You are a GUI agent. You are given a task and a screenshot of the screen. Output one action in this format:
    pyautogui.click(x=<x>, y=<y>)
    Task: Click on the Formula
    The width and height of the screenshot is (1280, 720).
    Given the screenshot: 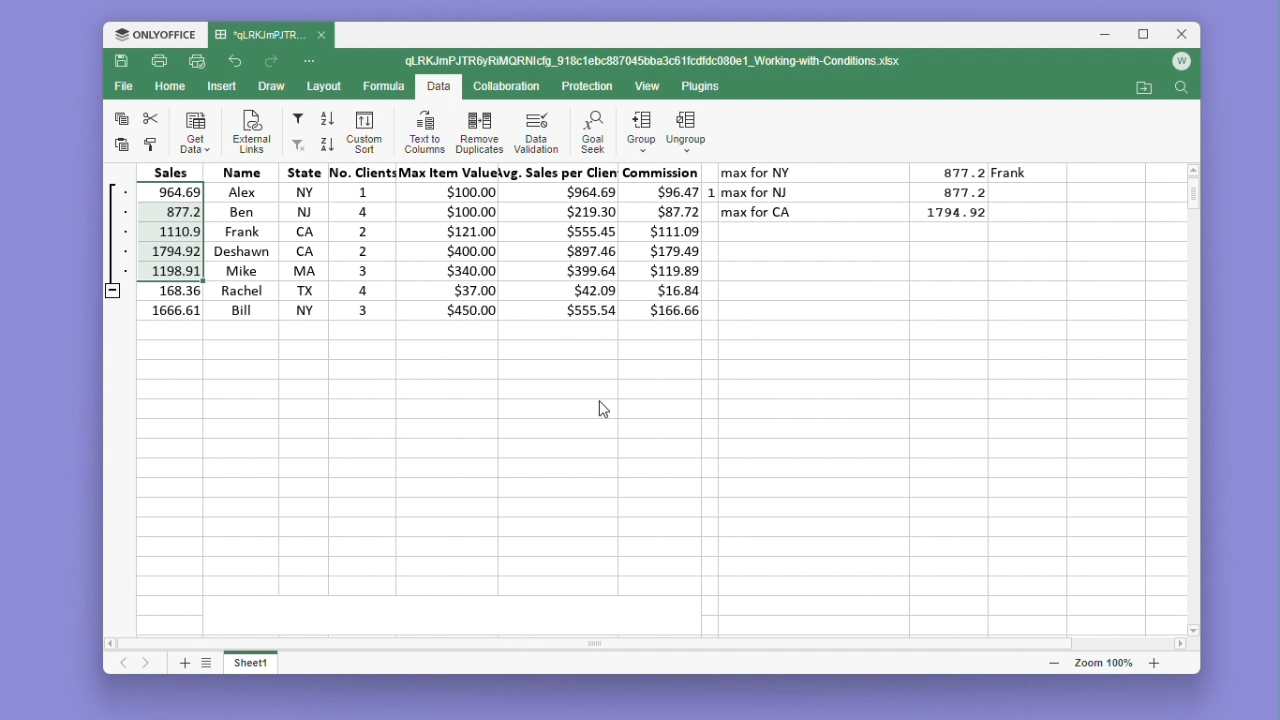 What is the action you would take?
    pyautogui.click(x=385, y=85)
    